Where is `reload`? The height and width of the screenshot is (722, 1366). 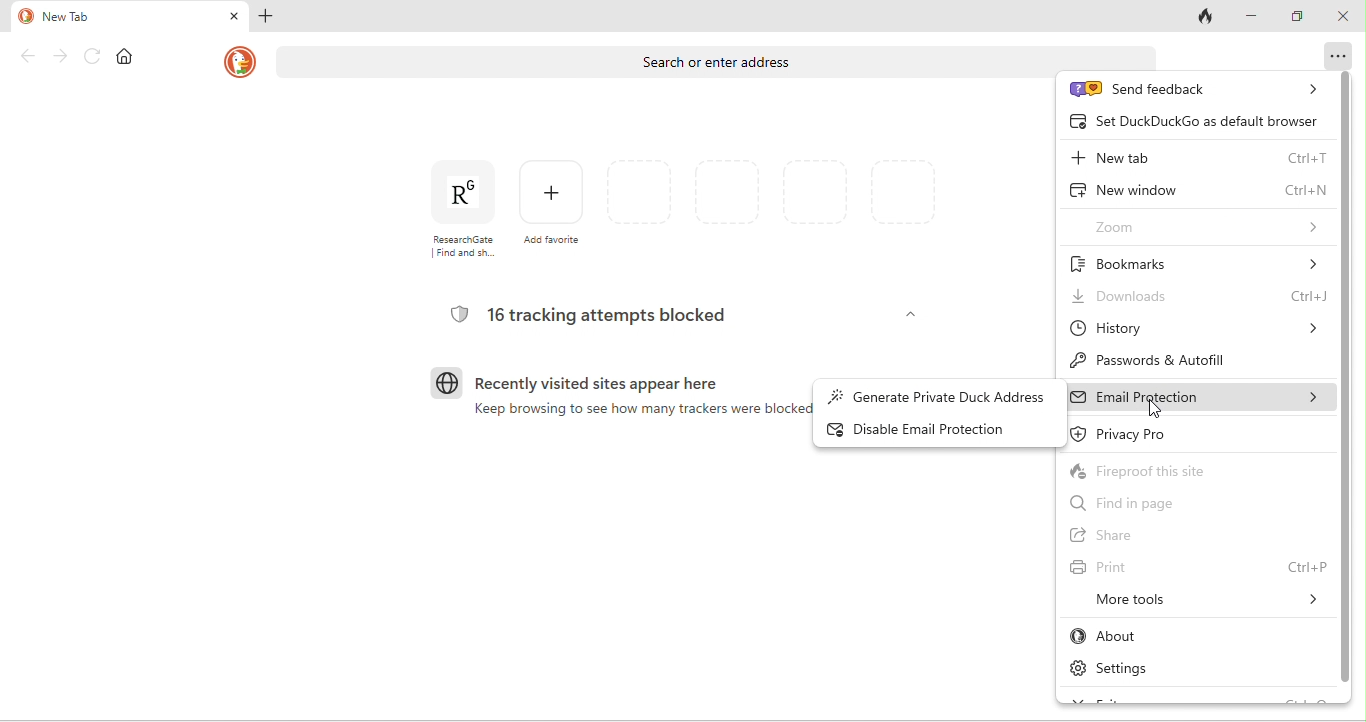 reload is located at coordinates (94, 56).